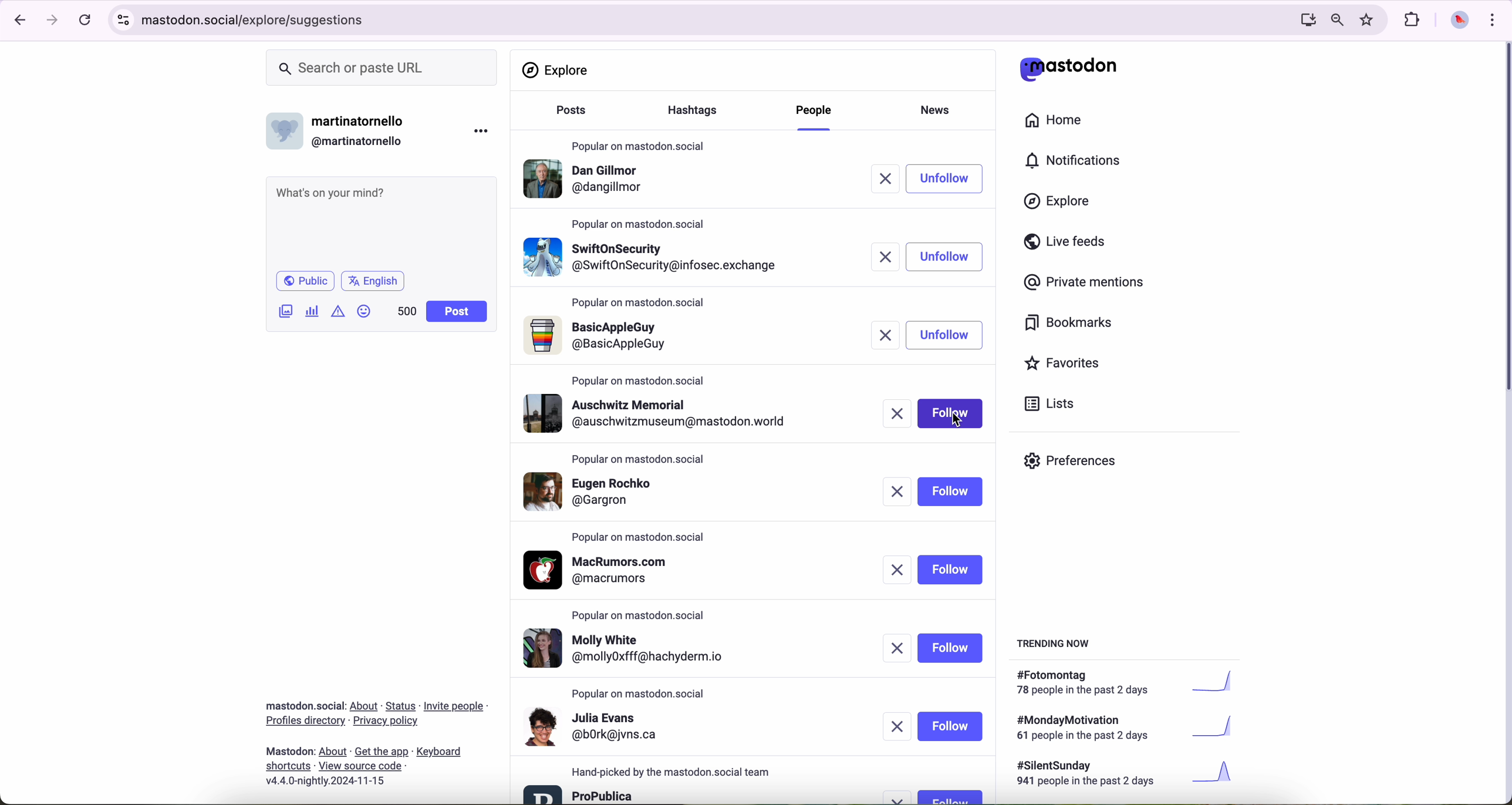 The height and width of the screenshot is (805, 1512). I want to click on bookmarks, so click(1069, 325).